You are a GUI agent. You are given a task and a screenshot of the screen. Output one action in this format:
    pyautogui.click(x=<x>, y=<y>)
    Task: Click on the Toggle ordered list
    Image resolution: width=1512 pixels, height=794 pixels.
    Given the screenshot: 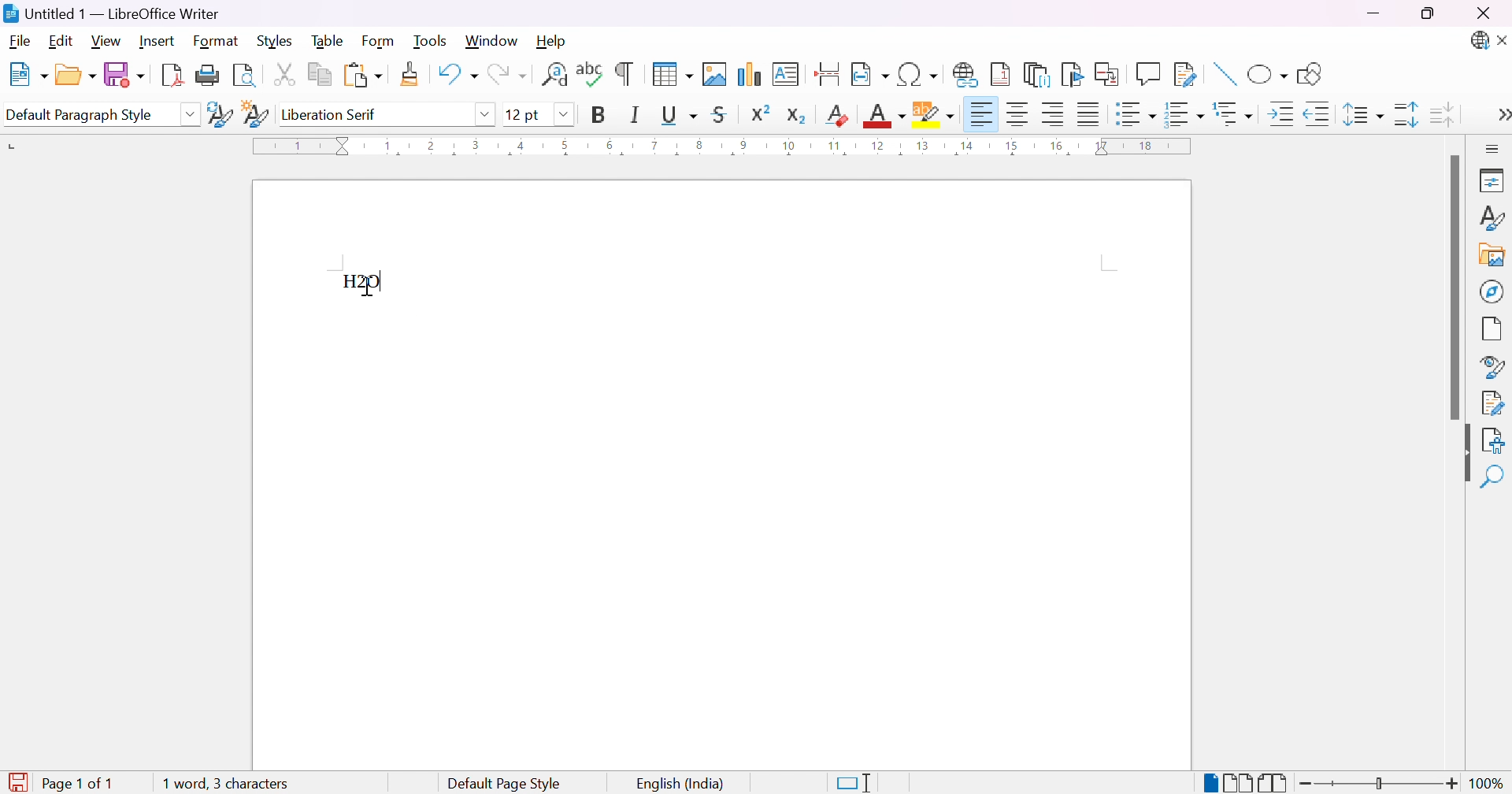 What is the action you would take?
    pyautogui.click(x=1186, y=113)
    